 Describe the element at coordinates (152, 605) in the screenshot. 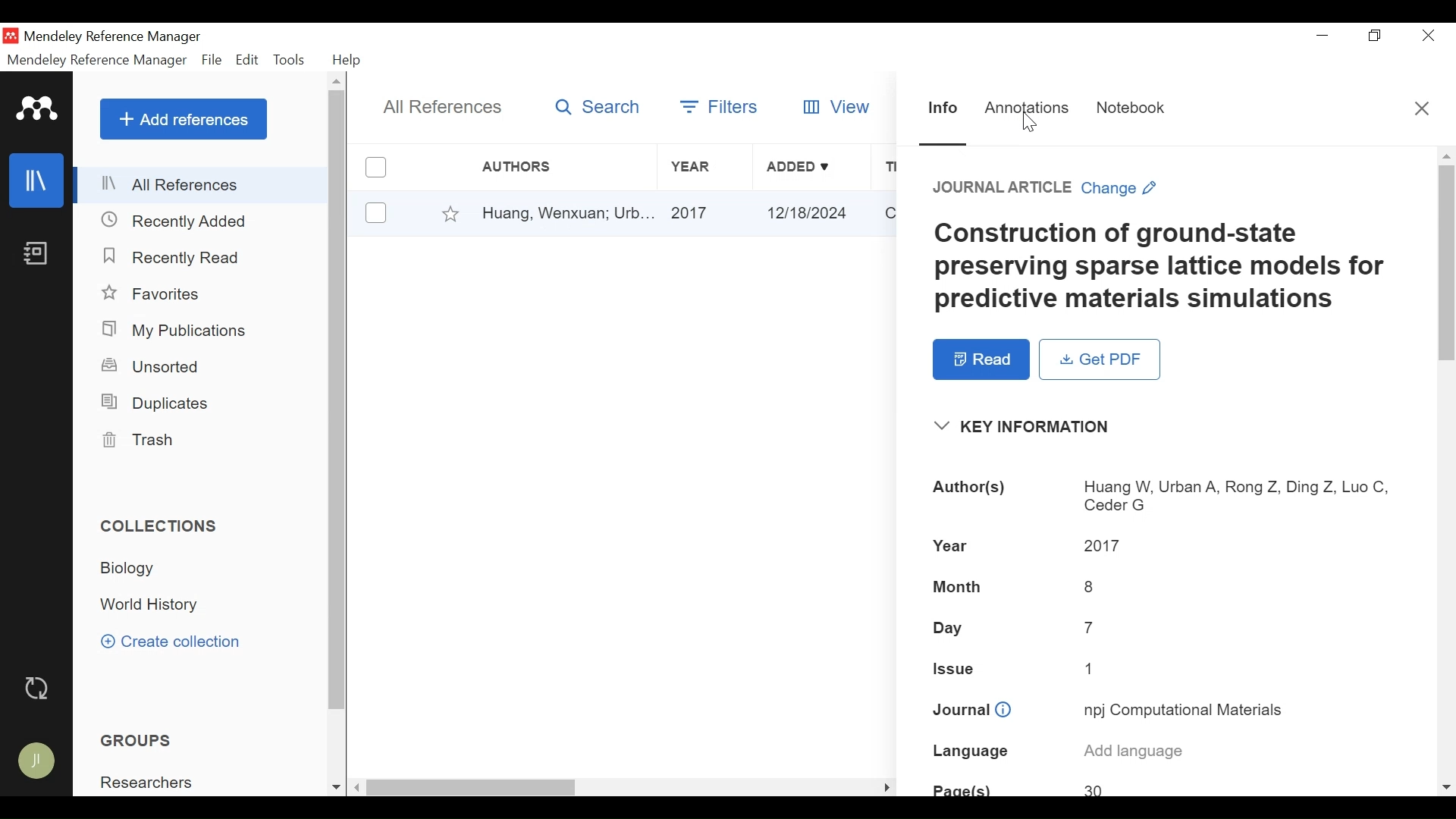

I see `world history` at that location.